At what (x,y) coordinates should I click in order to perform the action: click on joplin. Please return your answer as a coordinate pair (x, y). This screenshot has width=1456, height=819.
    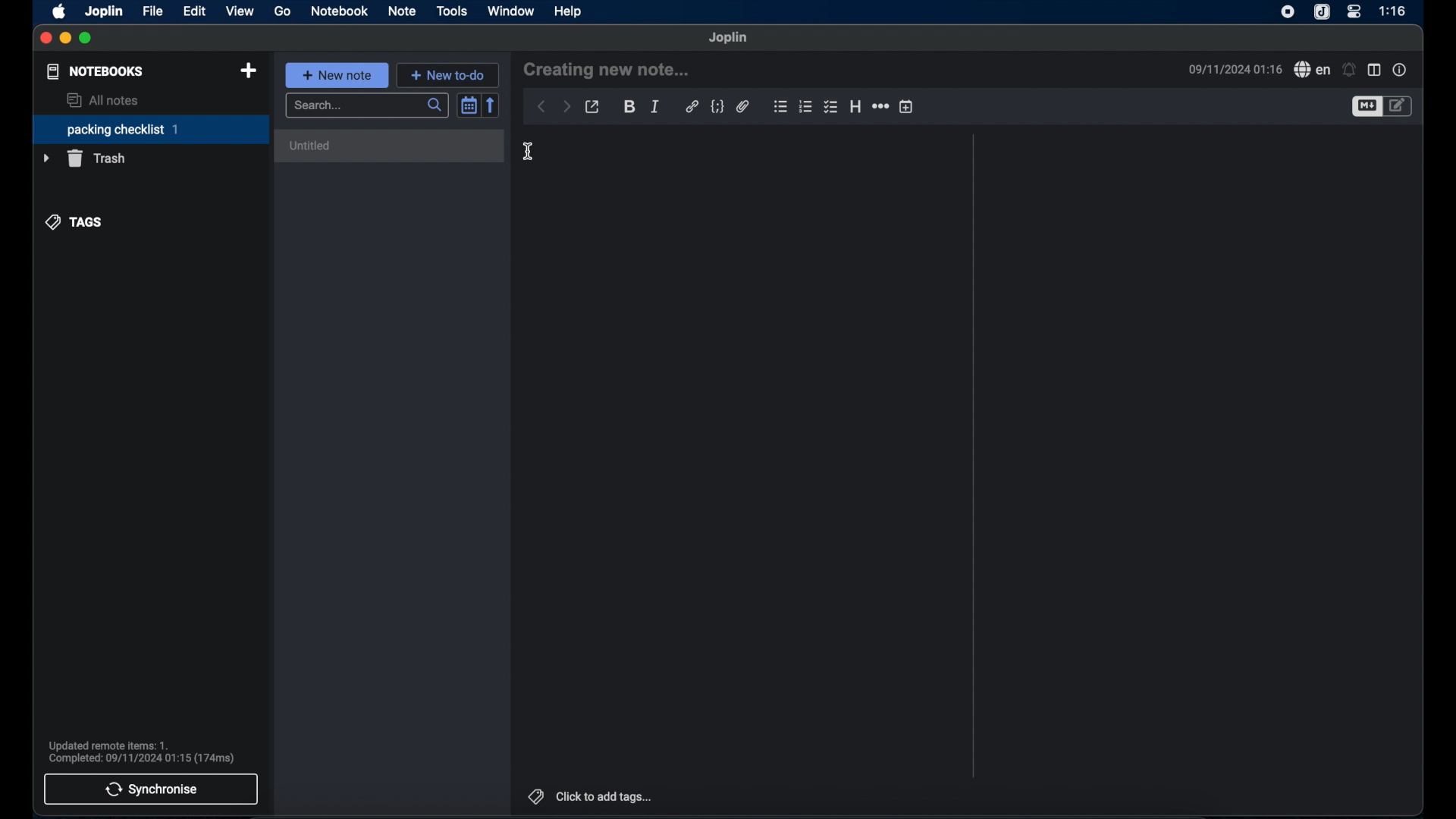
    Looking at the image, I should click on (730, 38).